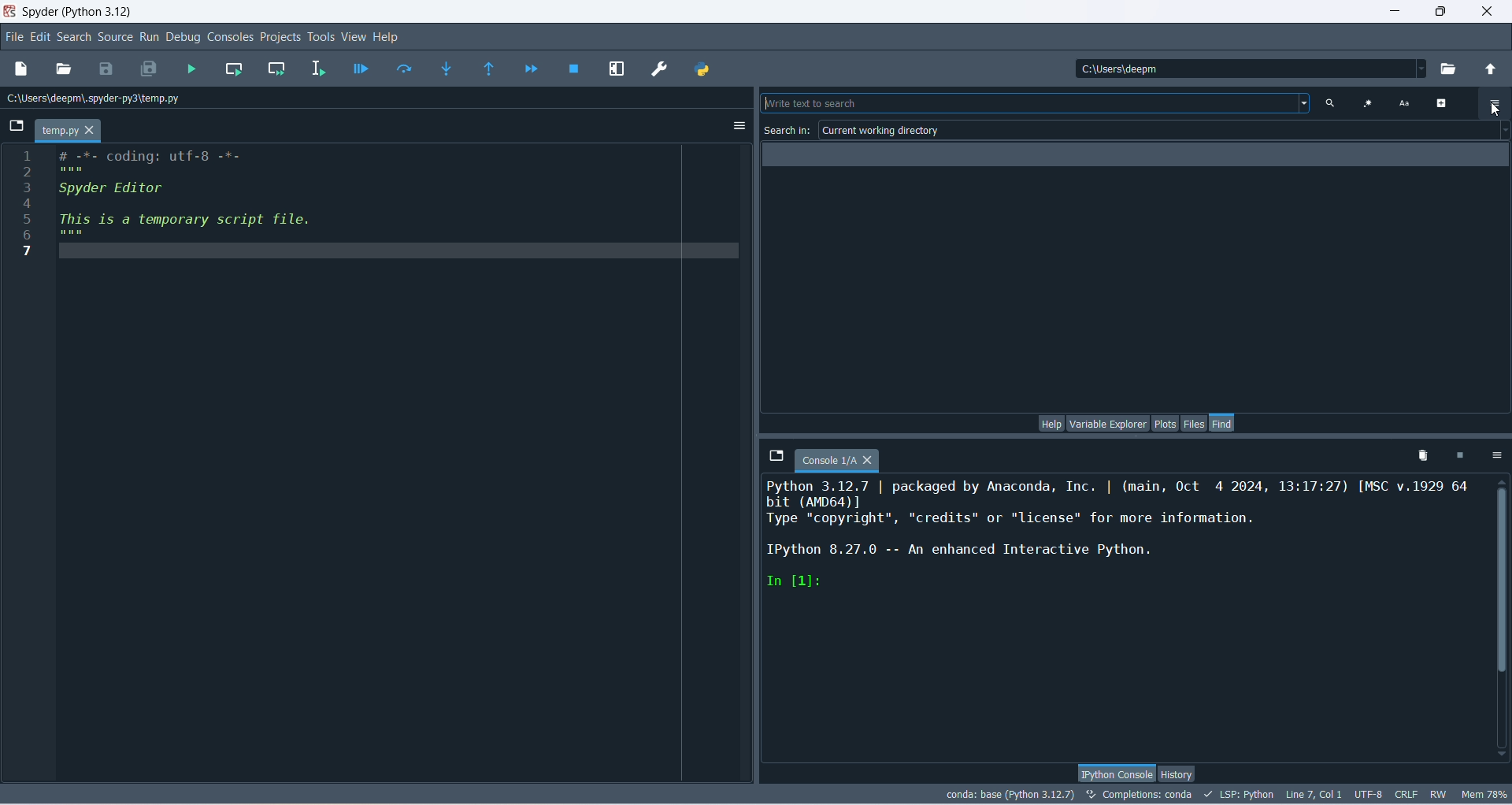 This screenshot has height=805, width=1512. What do you see at coordinates (194, 69) in the screenshot?
I see `run file` at bounding box center [194, 69].